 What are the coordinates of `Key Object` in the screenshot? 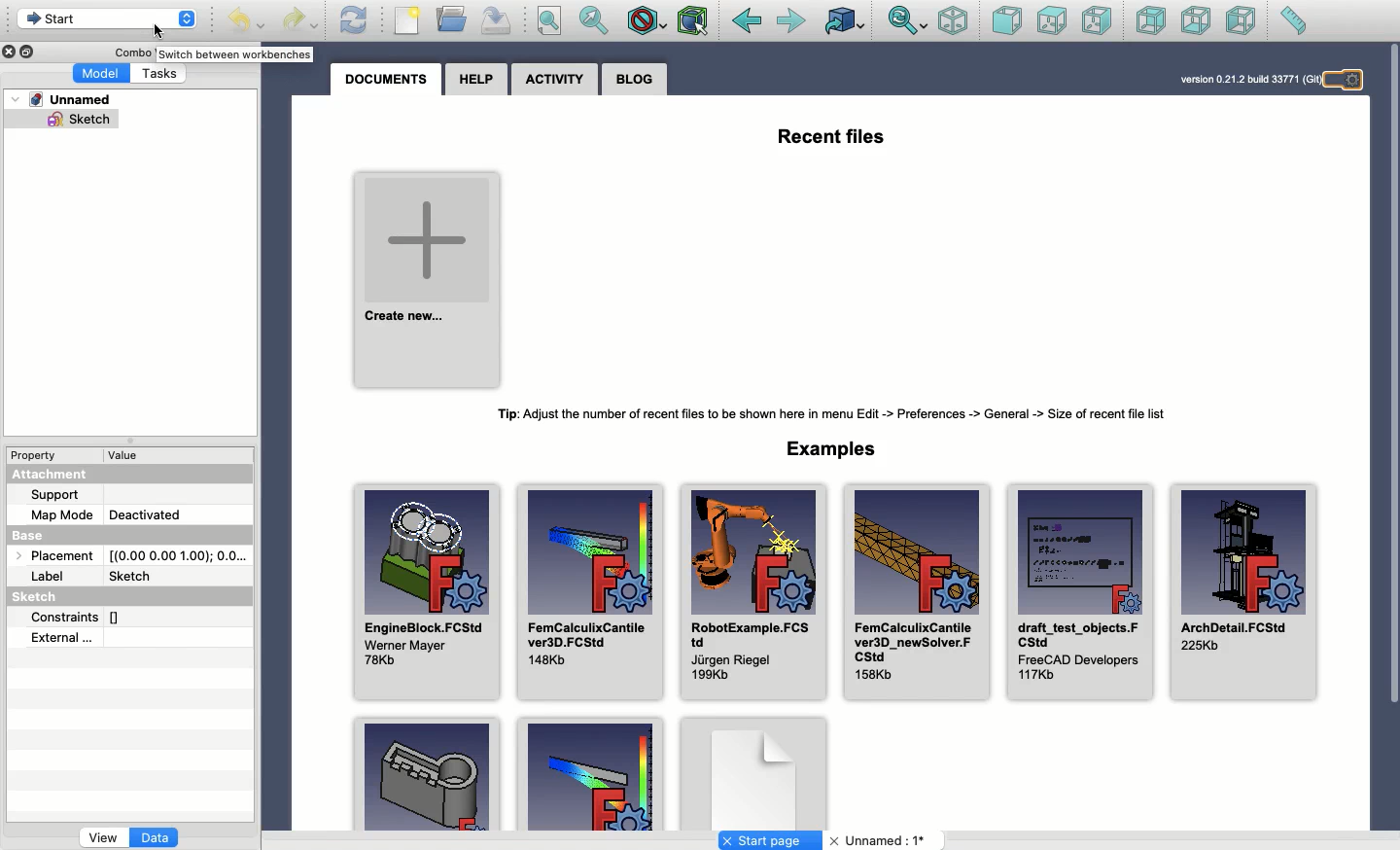 It's located at (427, 772).